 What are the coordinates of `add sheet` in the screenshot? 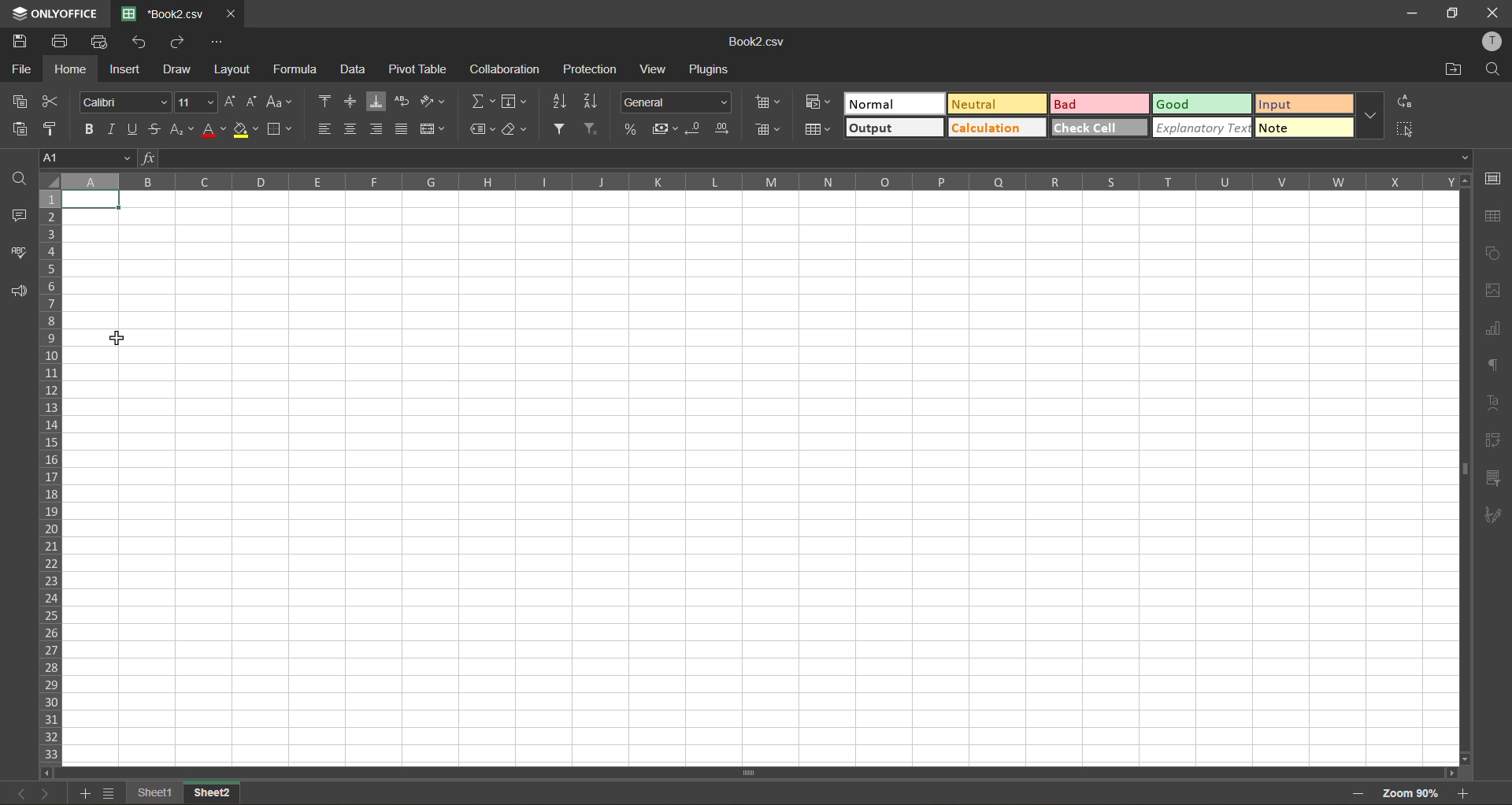 It's located at (86, 794).